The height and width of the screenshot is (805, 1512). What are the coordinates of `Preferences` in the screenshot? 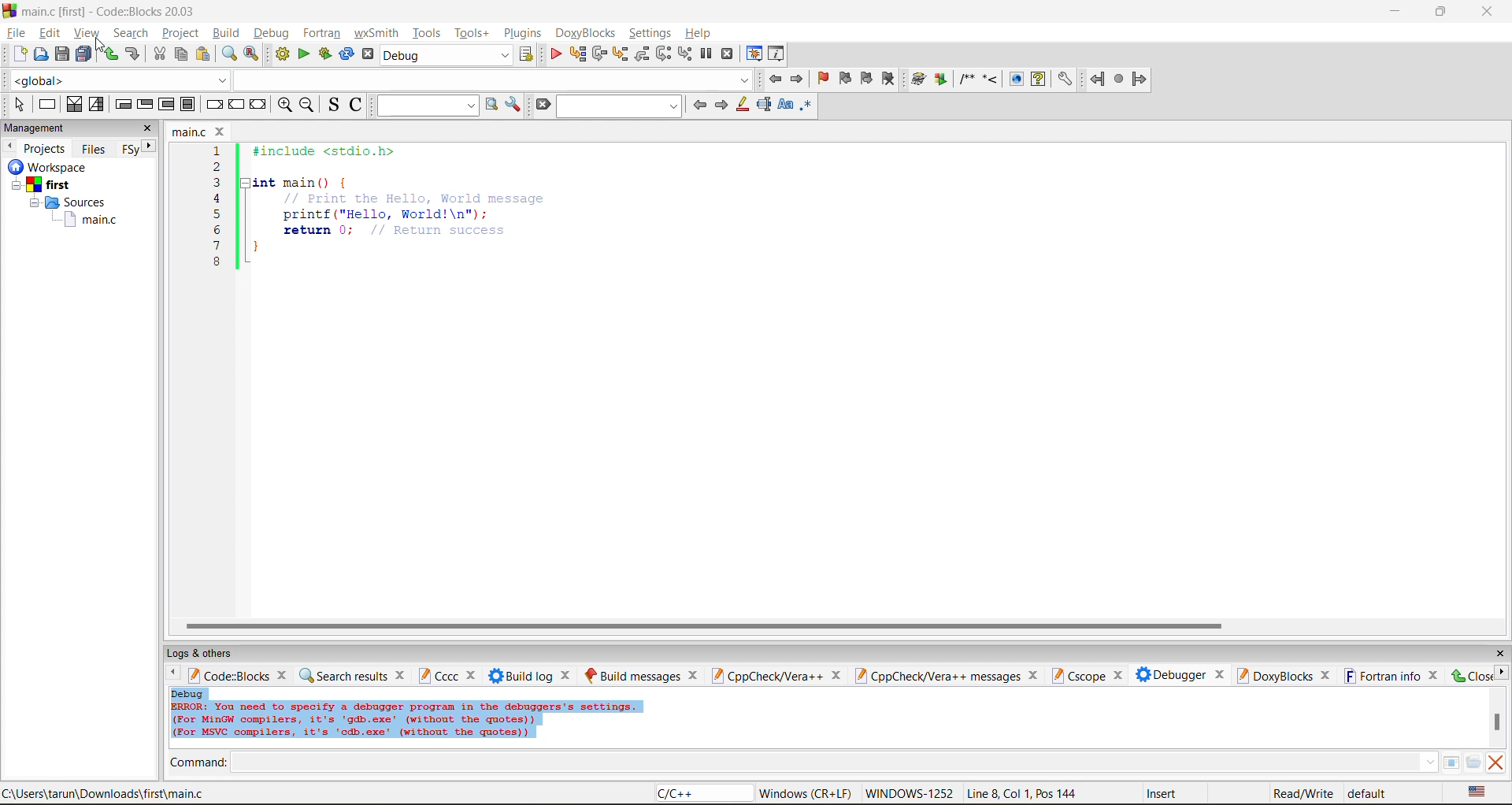 It's located at (1065, 80).